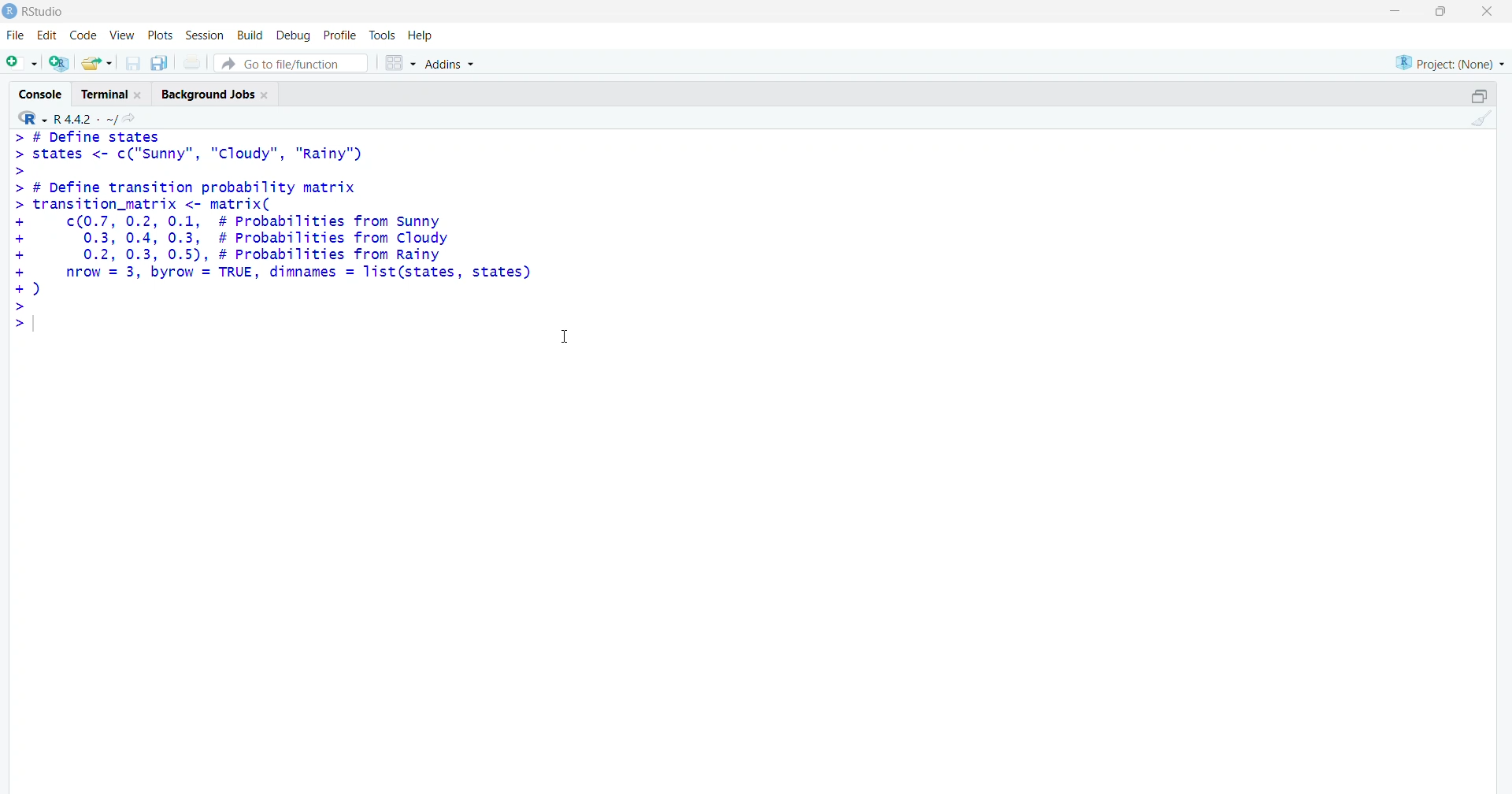  Describe the element at coordinates (1448, 61) in the screenshot. I see `project (None)` at that location.